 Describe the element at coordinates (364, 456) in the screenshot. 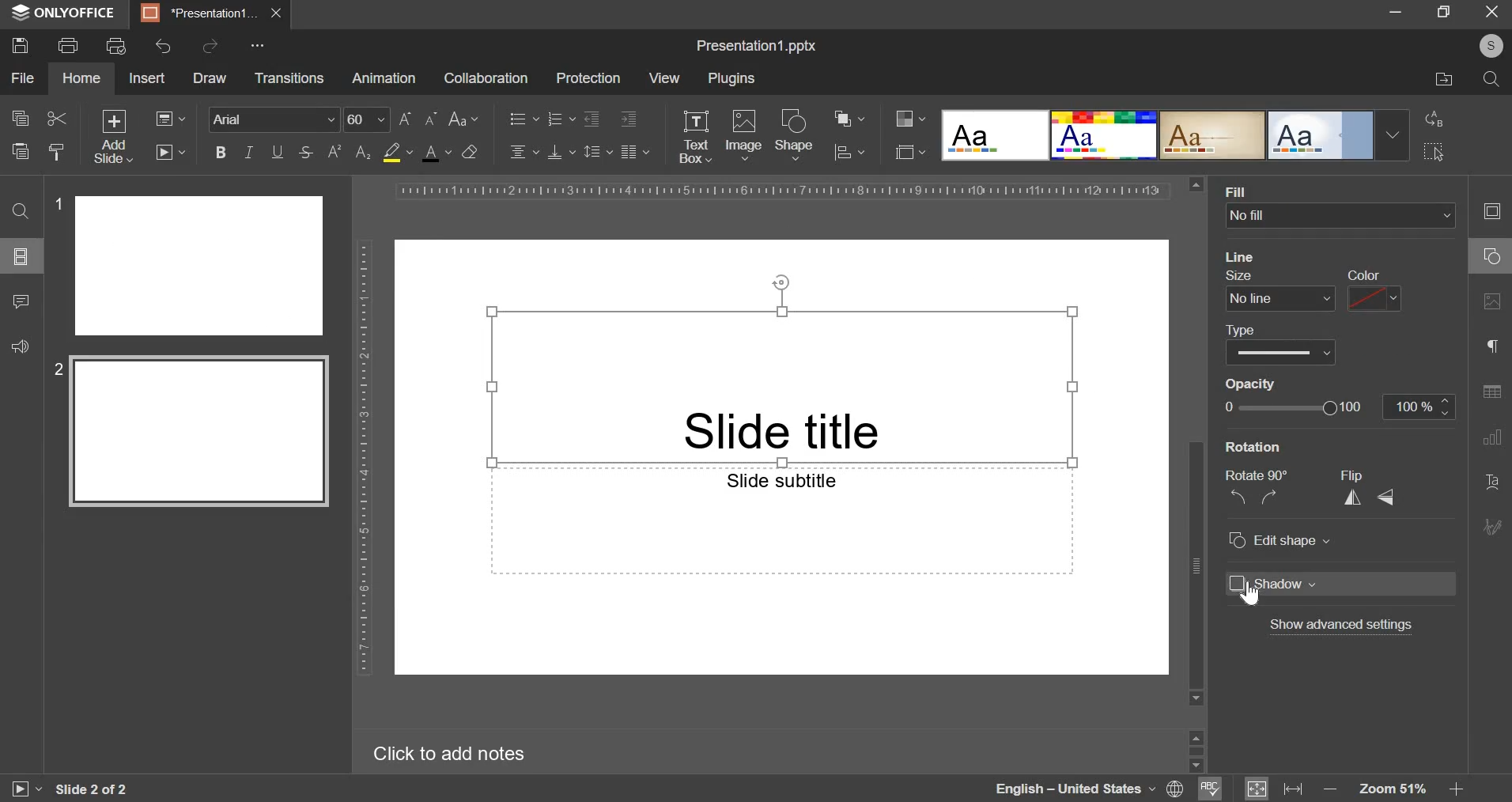

I see `vertical scale` at that location.